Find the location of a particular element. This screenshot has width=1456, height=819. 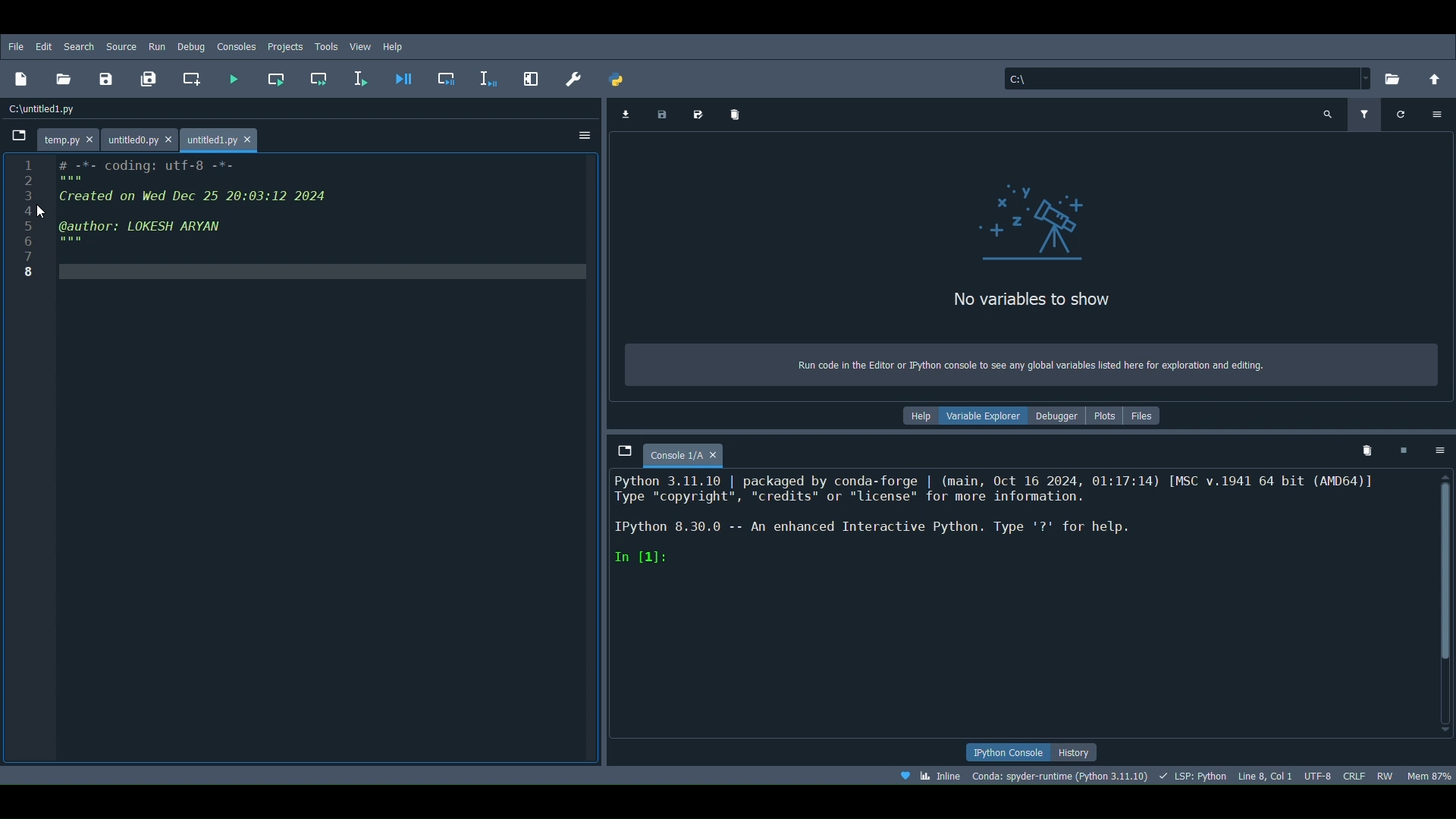

Help is located at coordinates (921, 416).